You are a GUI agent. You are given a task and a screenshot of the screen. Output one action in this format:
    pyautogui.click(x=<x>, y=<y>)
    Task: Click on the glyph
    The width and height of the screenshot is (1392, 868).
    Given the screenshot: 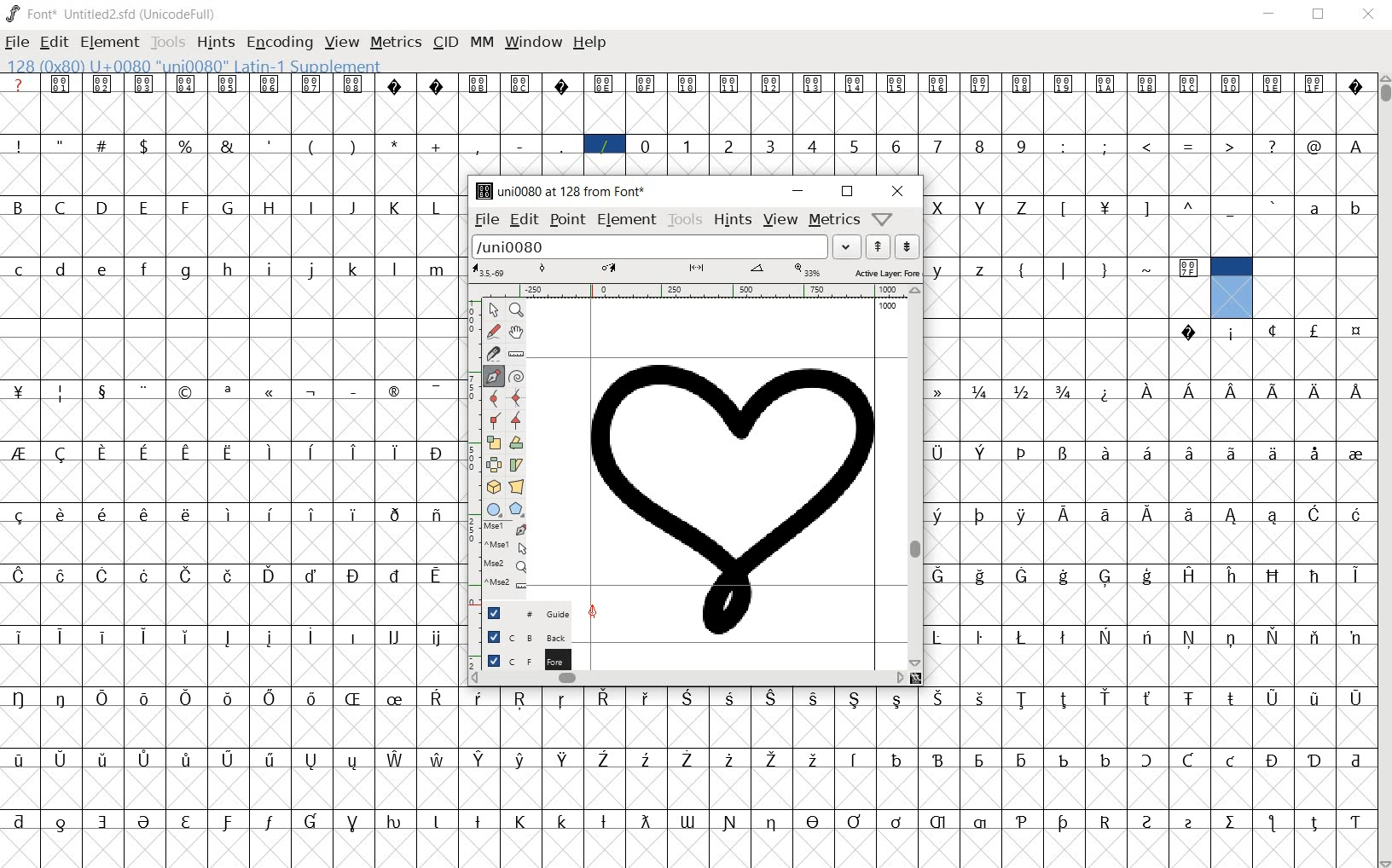 What is the action you would take?
    pyautogui.click(x=1273, y=516)
    